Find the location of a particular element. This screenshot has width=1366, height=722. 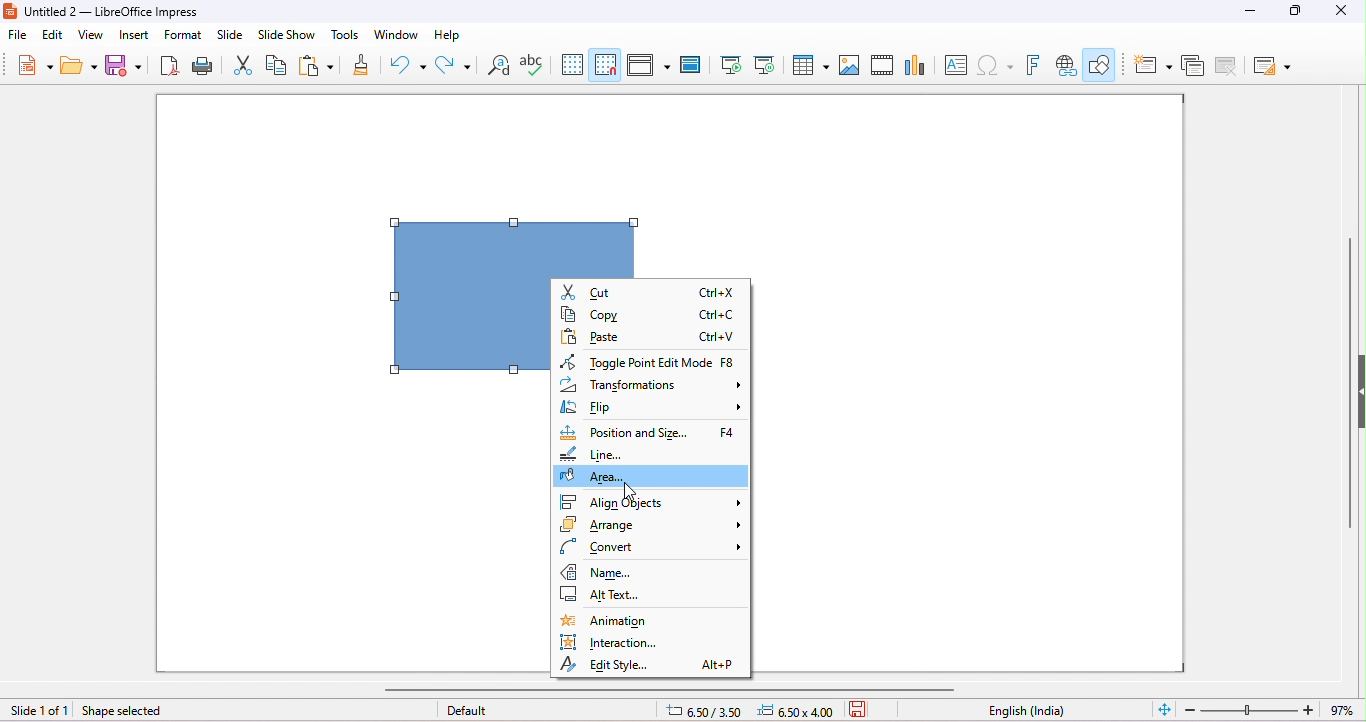

transformations is located at coordinates (652, 386).